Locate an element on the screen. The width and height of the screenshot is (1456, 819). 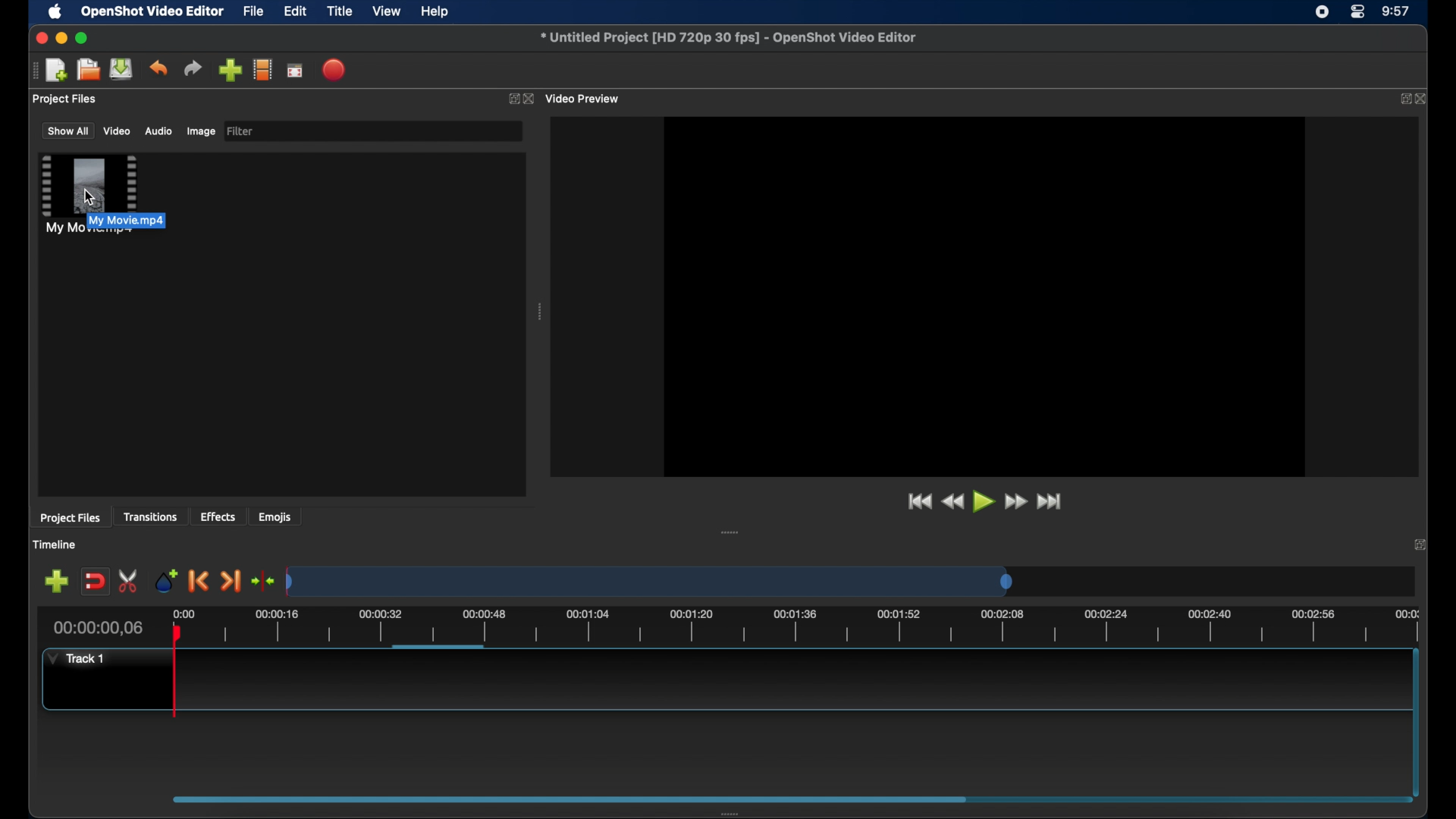
show all is located at coordinates (67, 130).